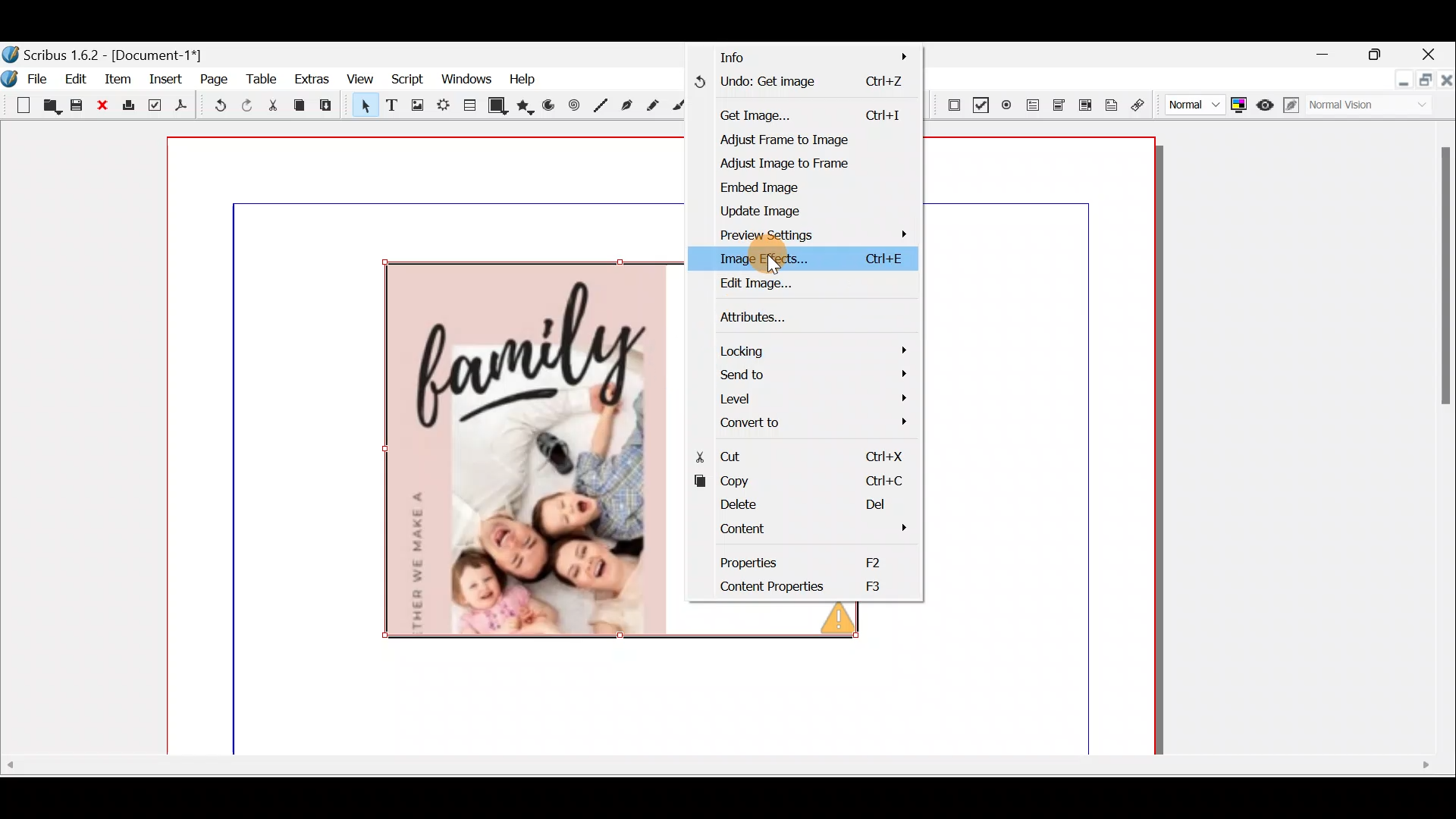 The height and width of the screenshot is (819, 1456). I want to click on Shape, so click(498, 105).